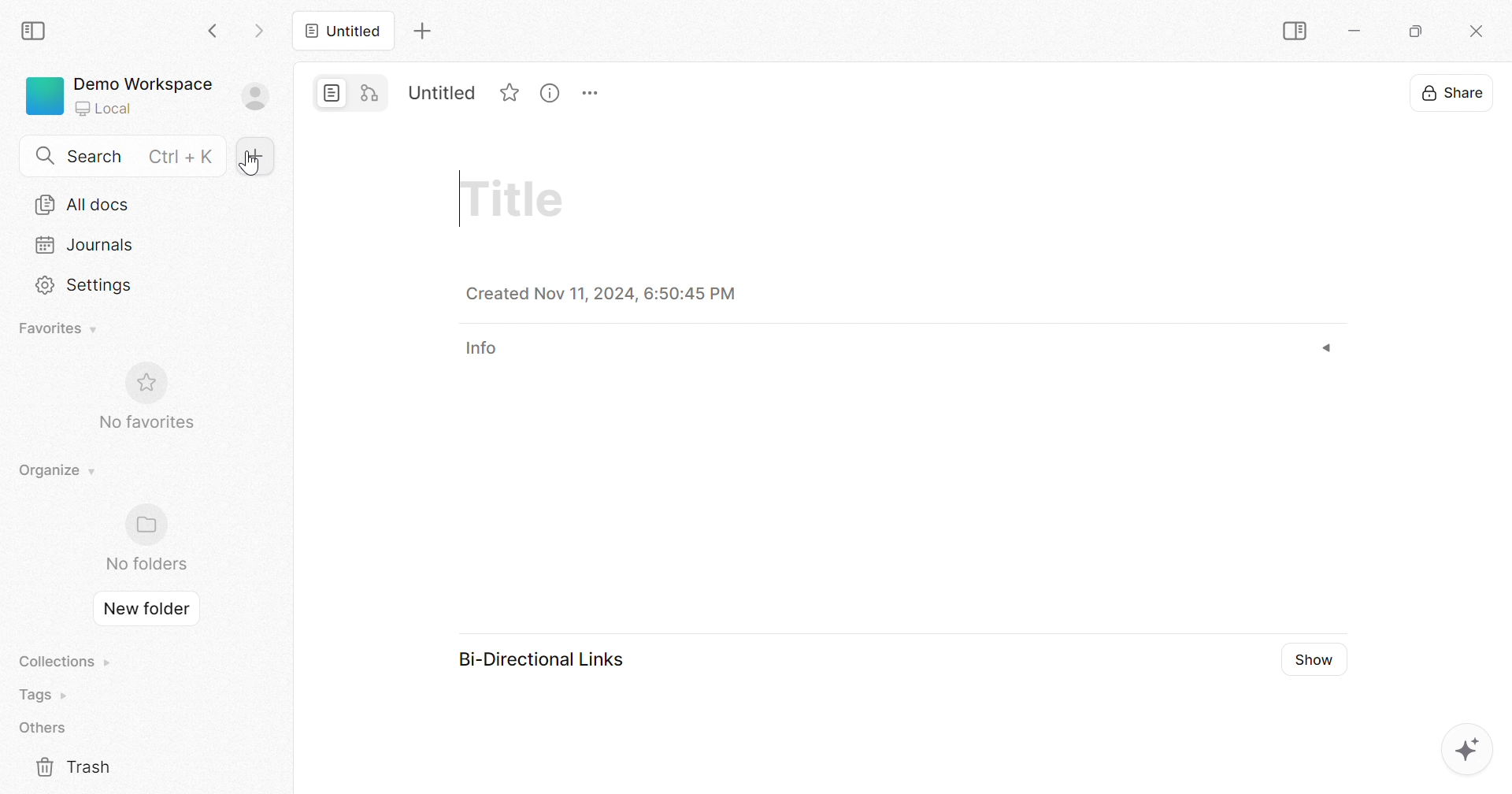  I want to click on Organize, so click(60, 472).